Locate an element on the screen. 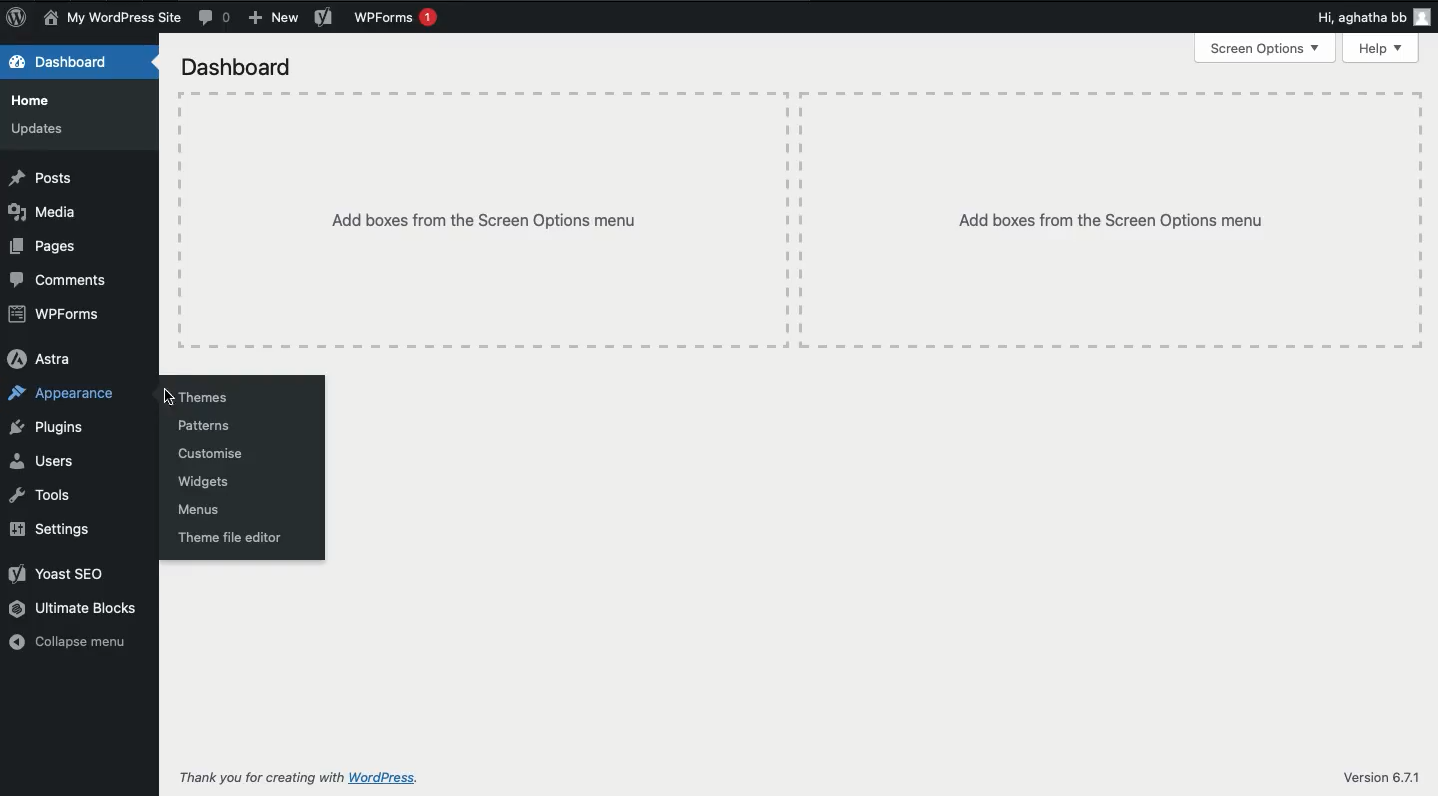 This screenshot has height=796, width=1438. Version 6.7.1 is located at coordinates (1380, 778).